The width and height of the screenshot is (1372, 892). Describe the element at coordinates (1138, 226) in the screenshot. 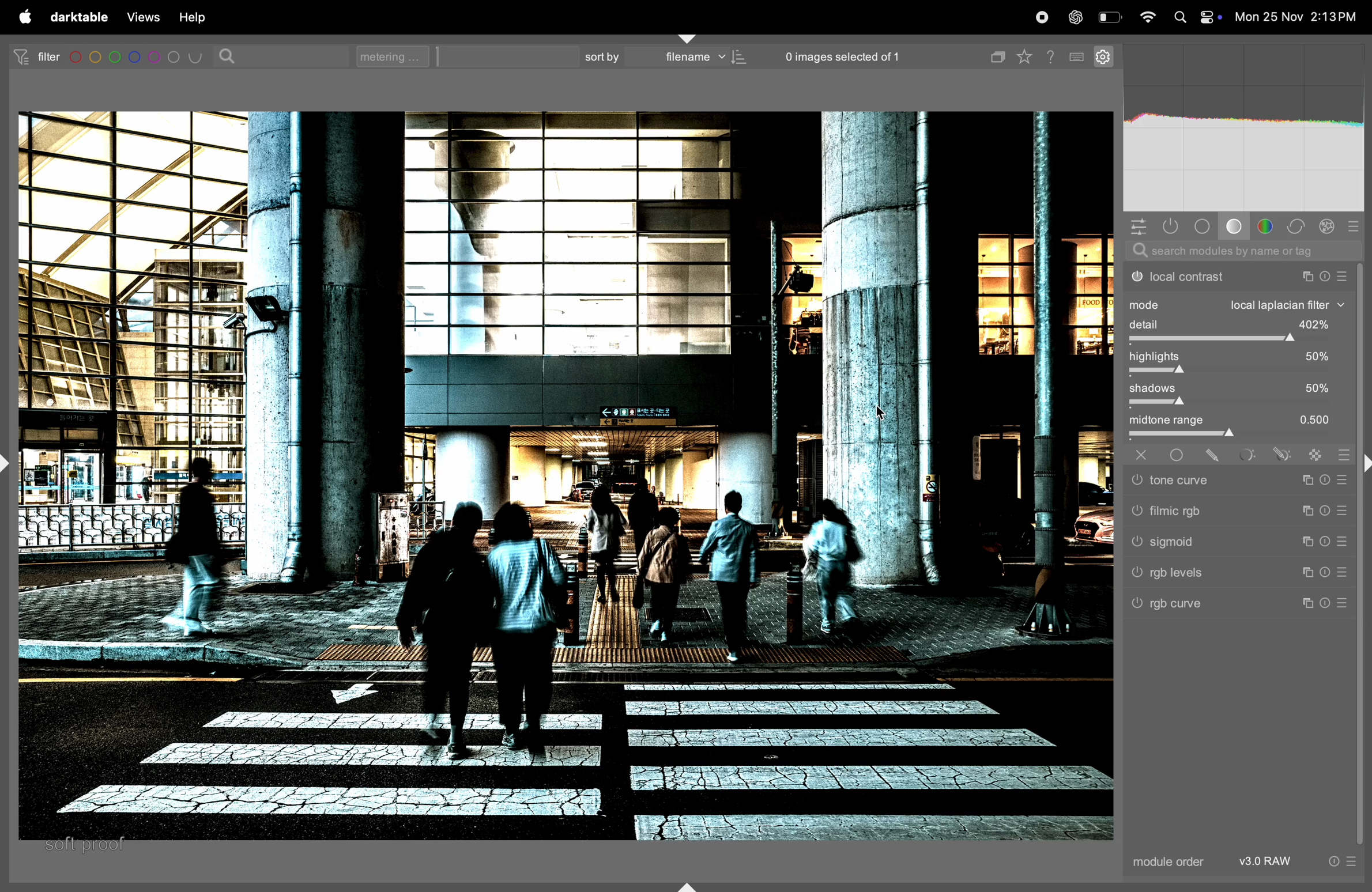

I see `quick acesss panel` at that location.